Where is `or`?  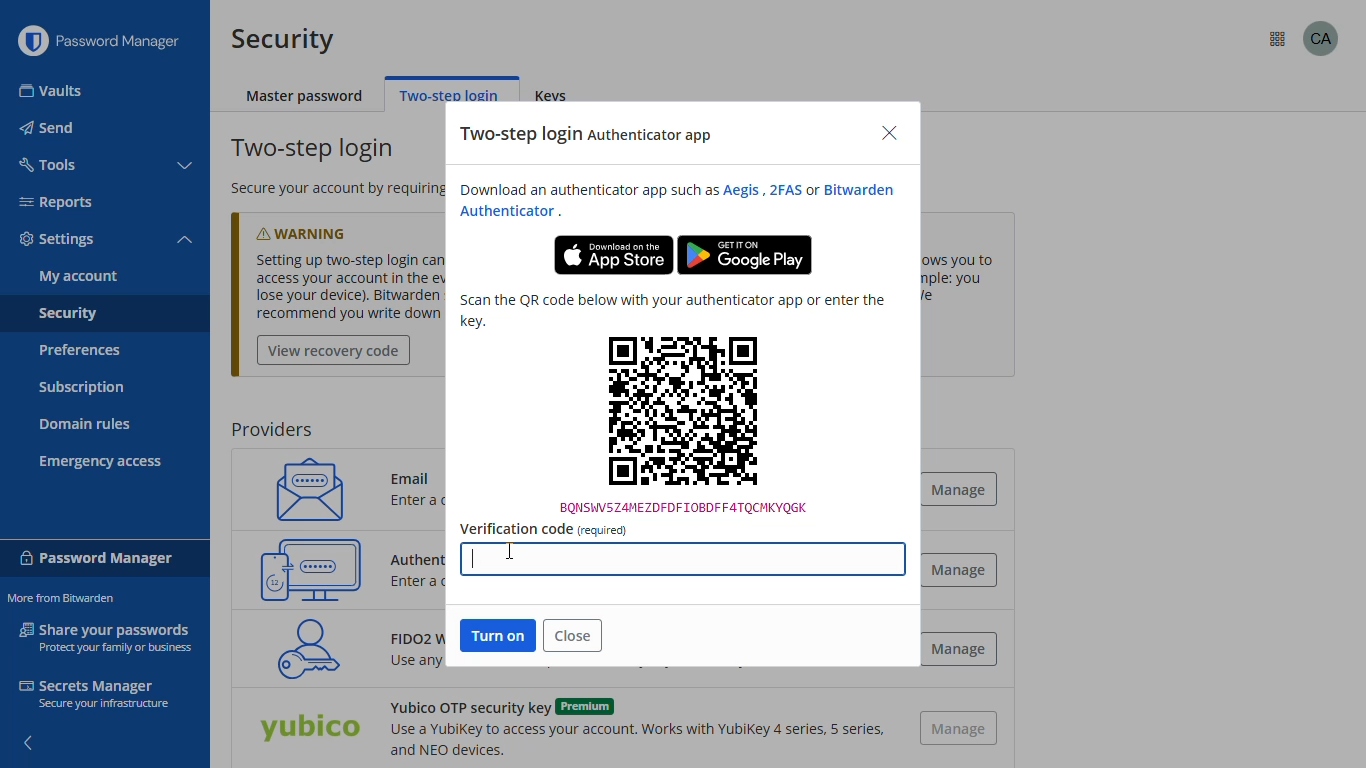
or is located at coordinates (812, 191).